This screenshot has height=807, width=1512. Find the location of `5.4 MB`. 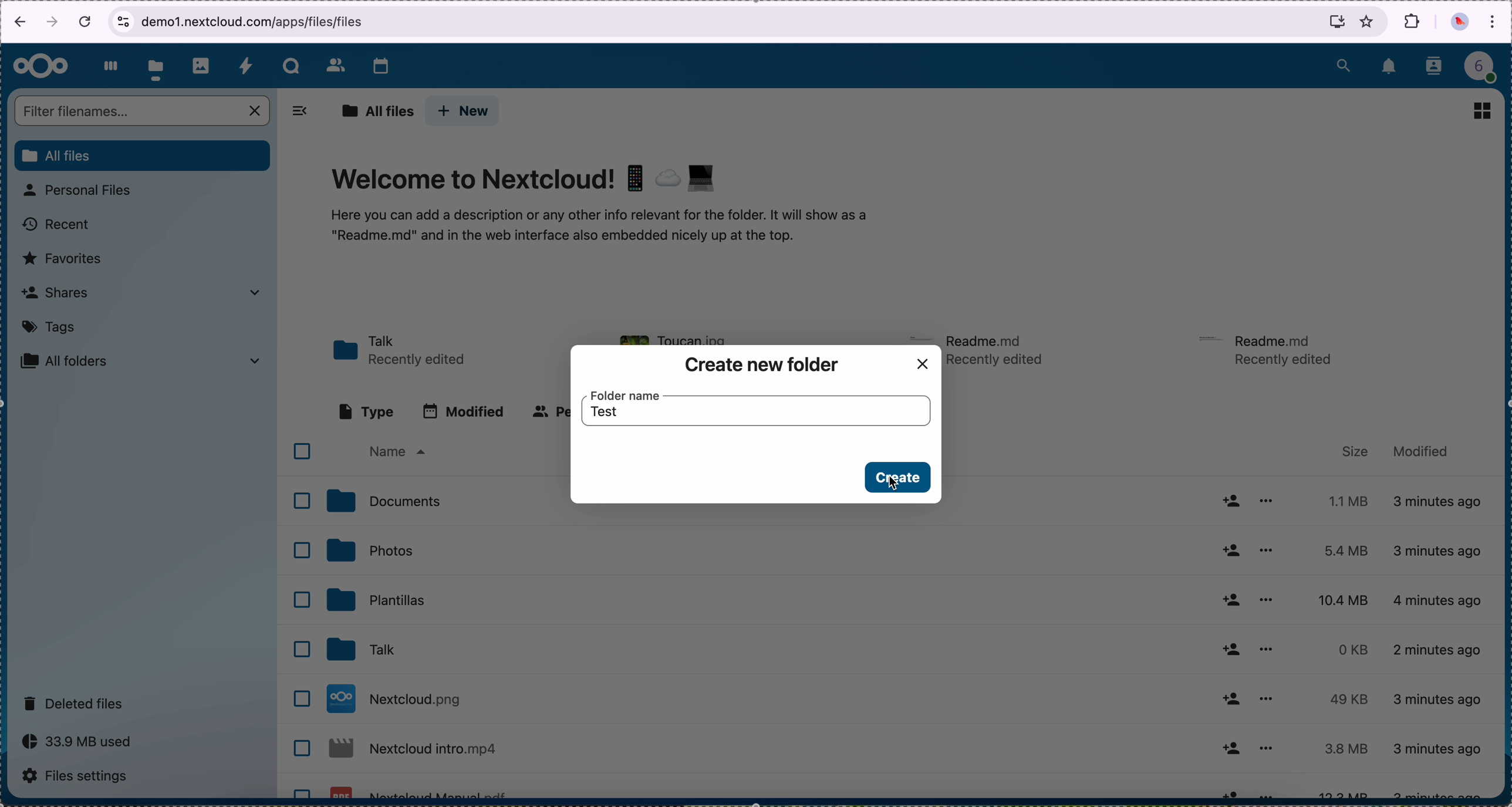

5.4 MB is located at coordinates (1337, 551).